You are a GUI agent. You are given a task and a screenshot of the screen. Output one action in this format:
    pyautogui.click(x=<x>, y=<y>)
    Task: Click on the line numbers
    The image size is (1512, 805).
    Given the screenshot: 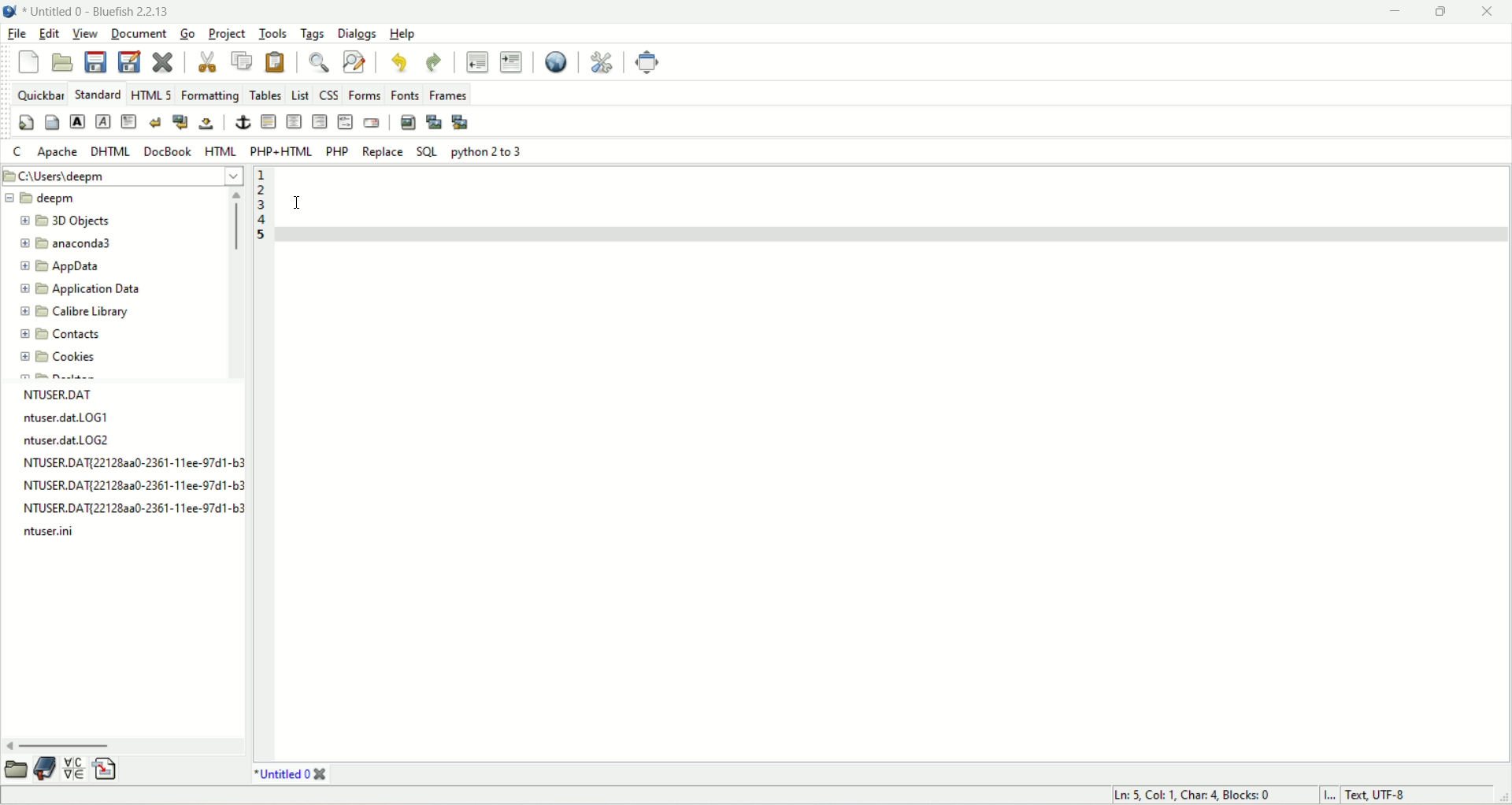 What is the action you would take?
    pyautogui.click(x=261, y=208)
    